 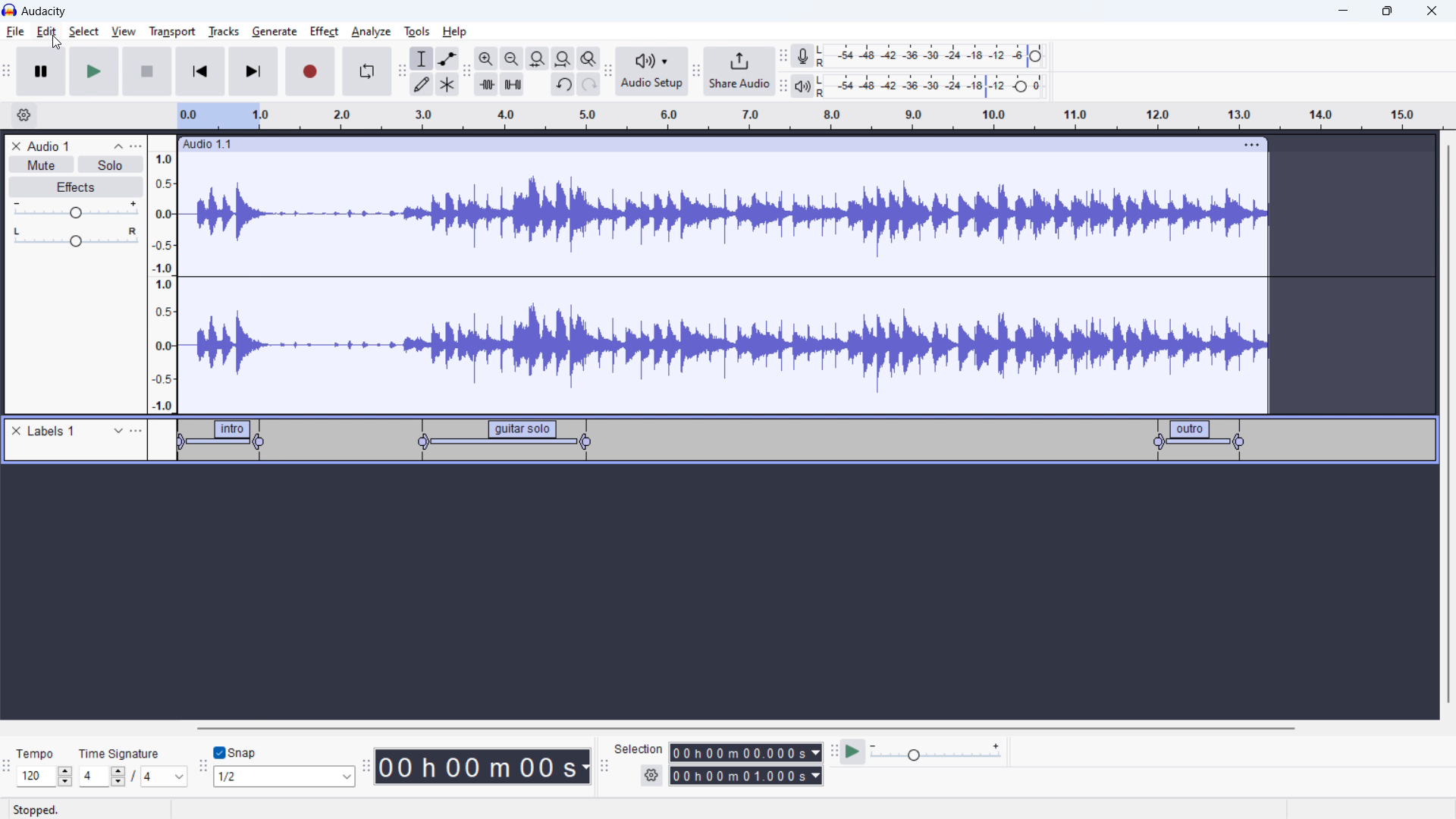 What do you see at coordinates (415, 31) in the screenshot?
I see `tools` at bounding box center [415, 31].